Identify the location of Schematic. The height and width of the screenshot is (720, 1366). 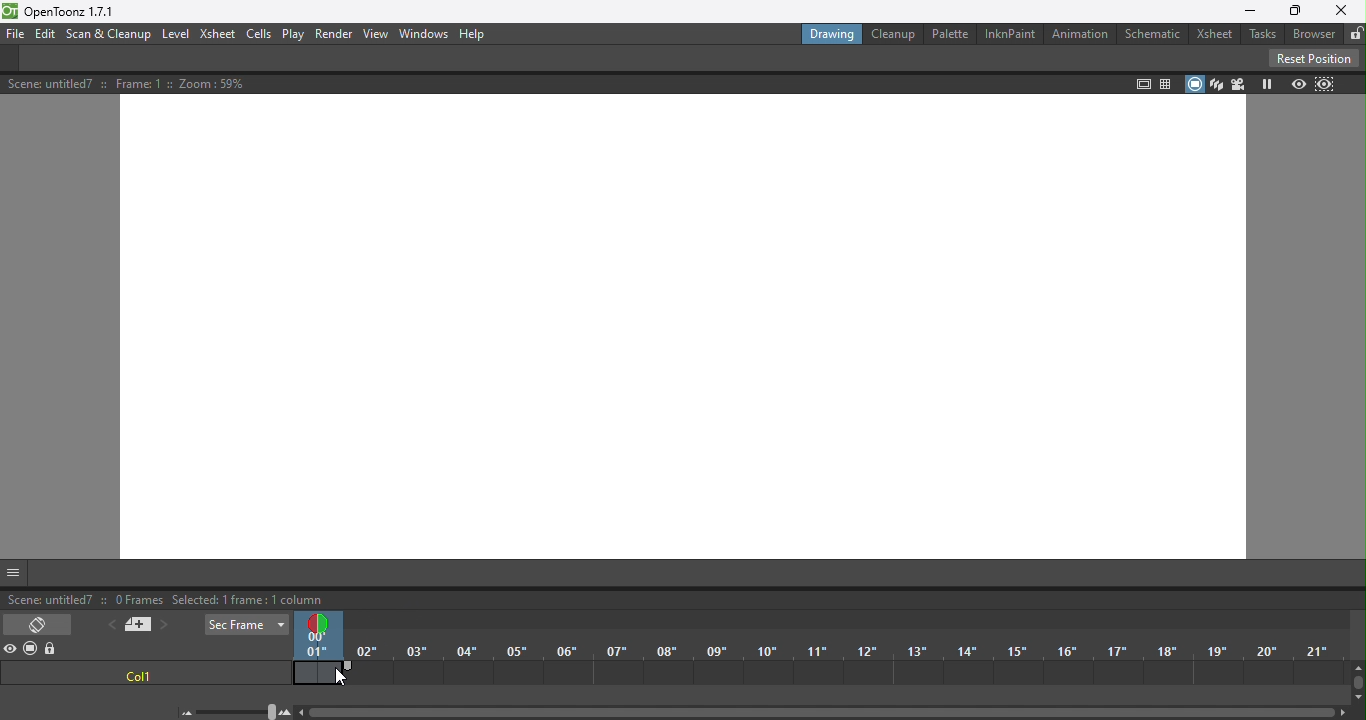
(1152, 34).